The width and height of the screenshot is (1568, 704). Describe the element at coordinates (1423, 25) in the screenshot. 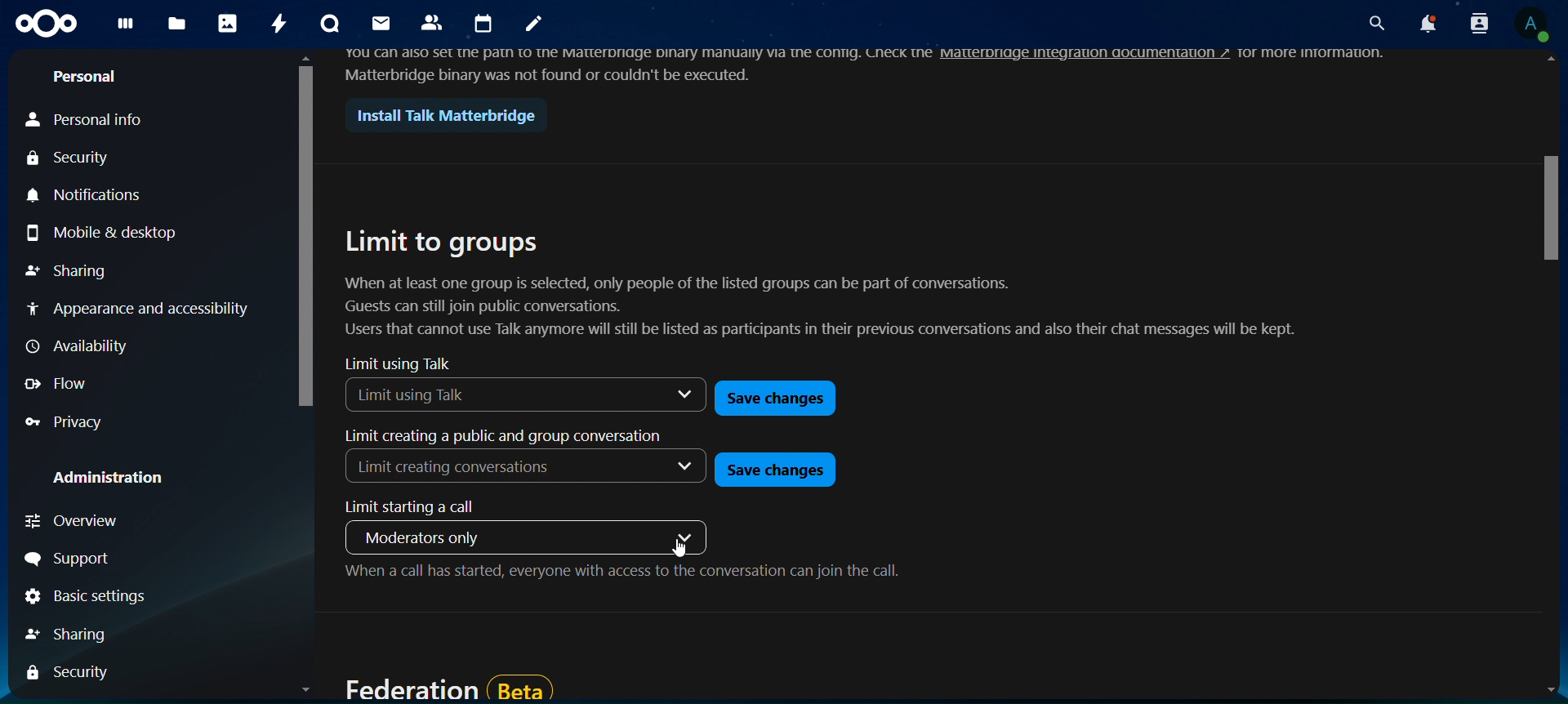

I see `notifications` at that location.